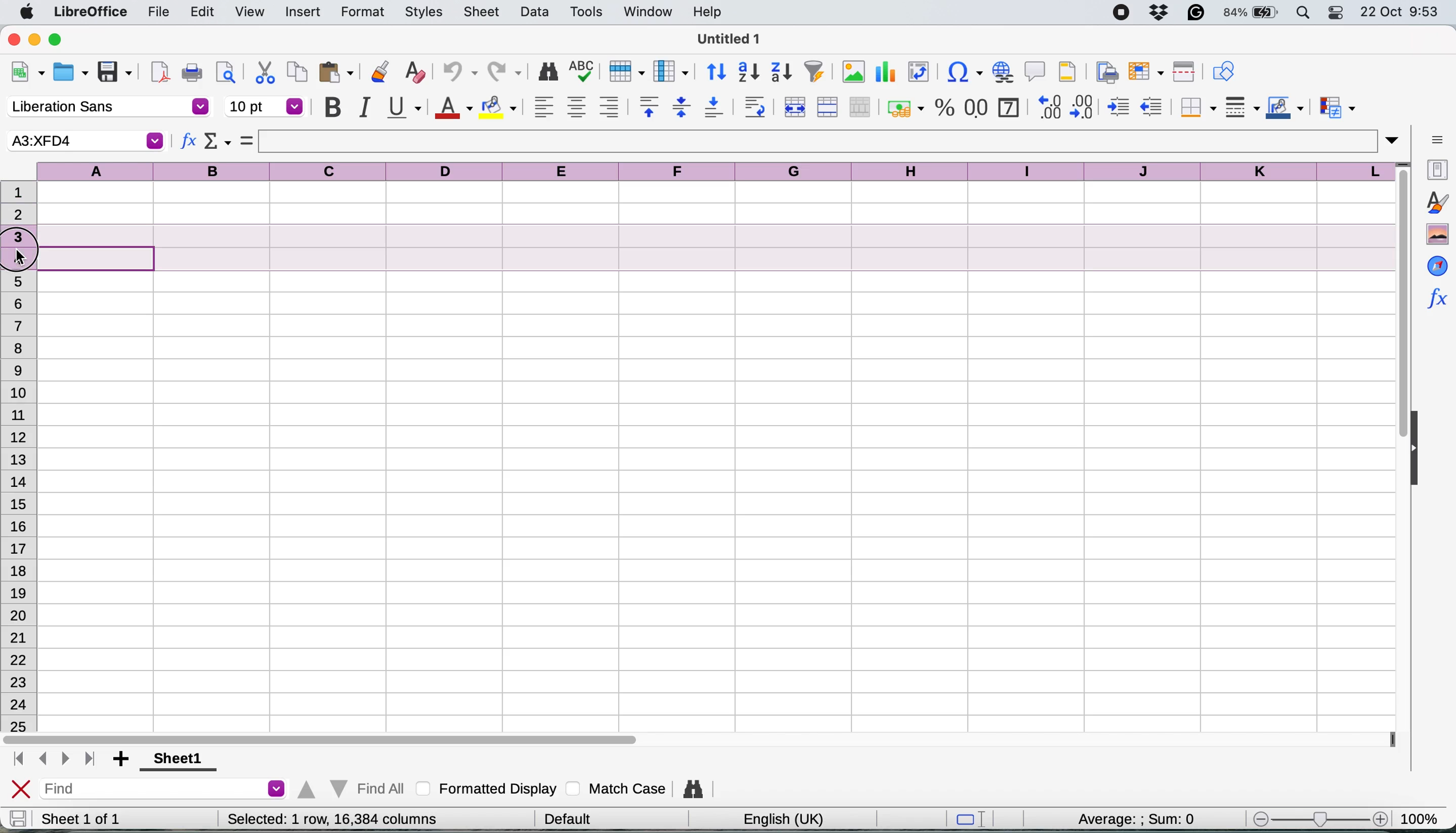  What do you see at coordinates (1196, 108) in the screenshot?
I see `borders` at bounding box center [1196, 108].